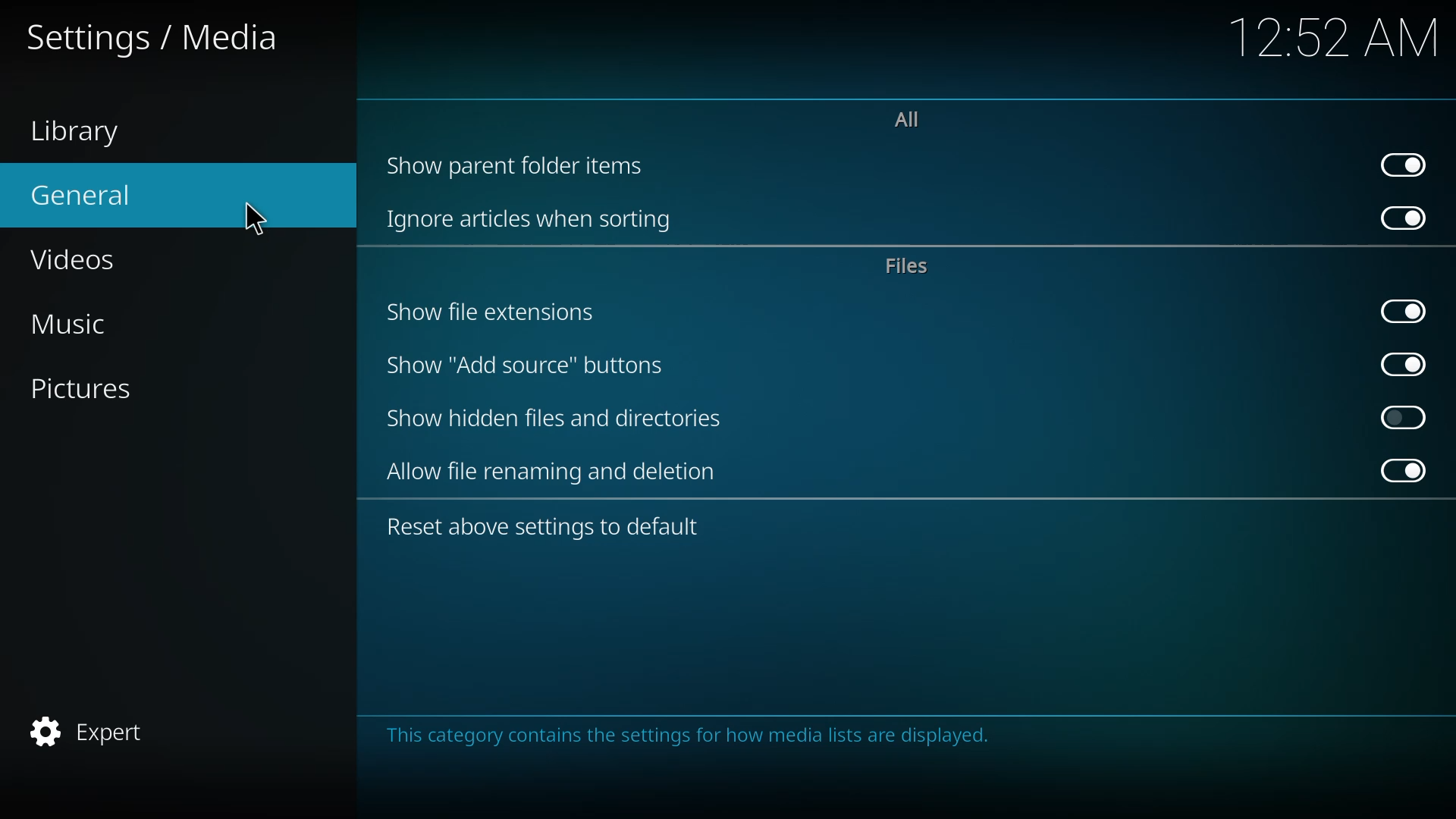 This screenshot has height=819, width=1456. What do you see at coordinates (1402, 364) in the screenshot?
I see `enabled` at bounding box center [1402, 364].